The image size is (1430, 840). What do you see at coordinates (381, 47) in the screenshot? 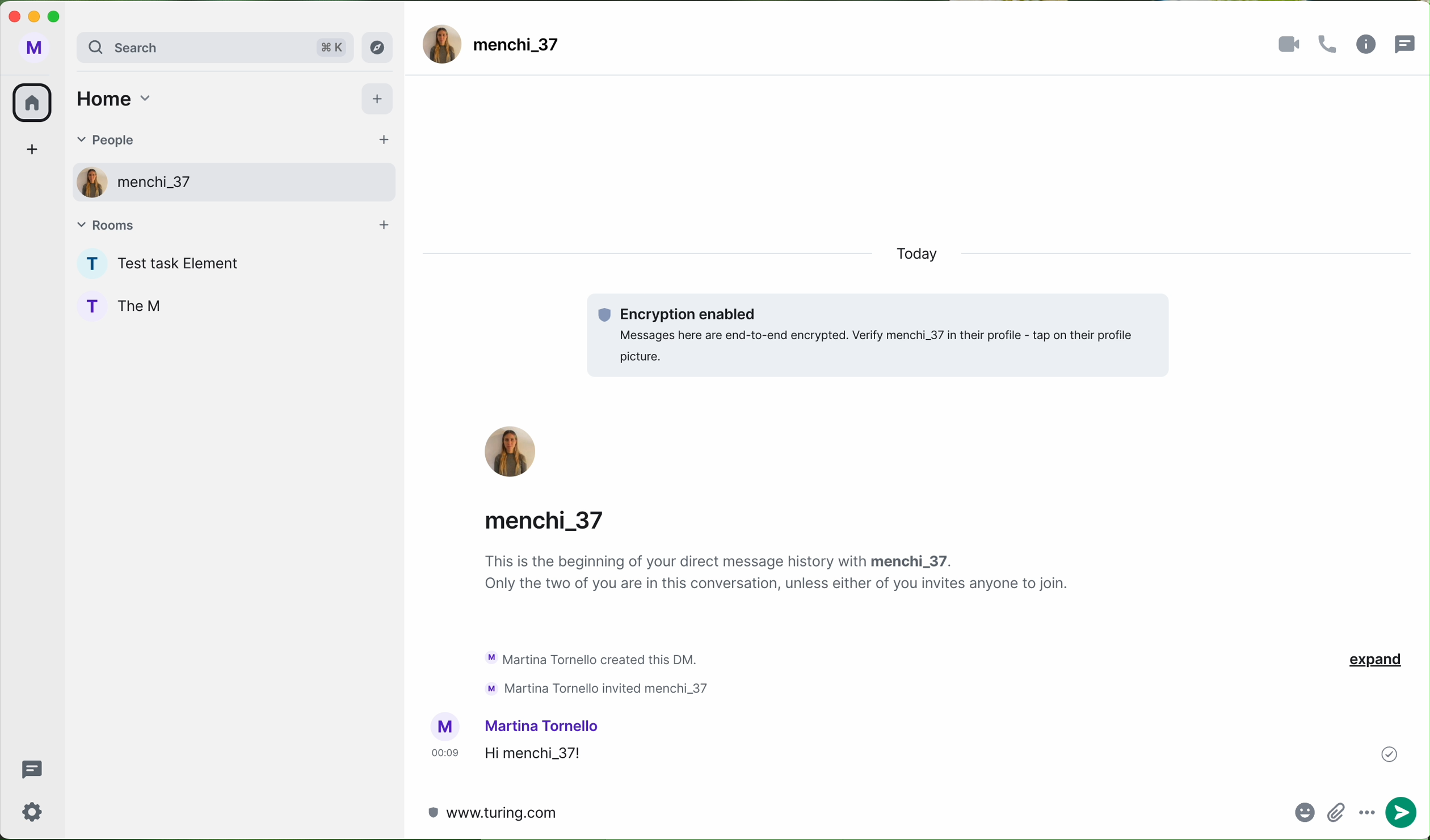
I see `explore` at bounding box center [381, 47].